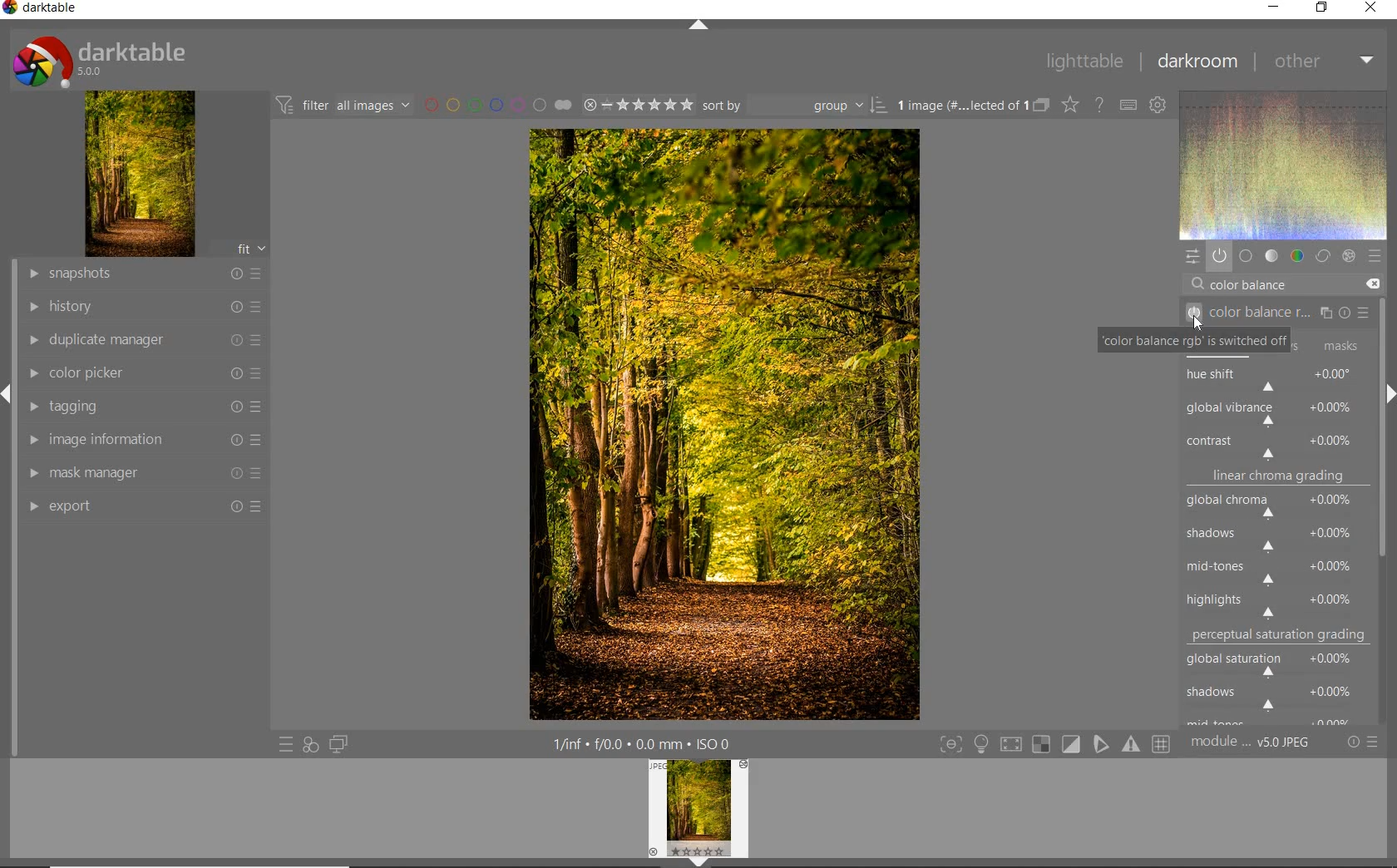  Describe the element at coordinates (342, 106) in the screenshot. I see `filter images` at that location.